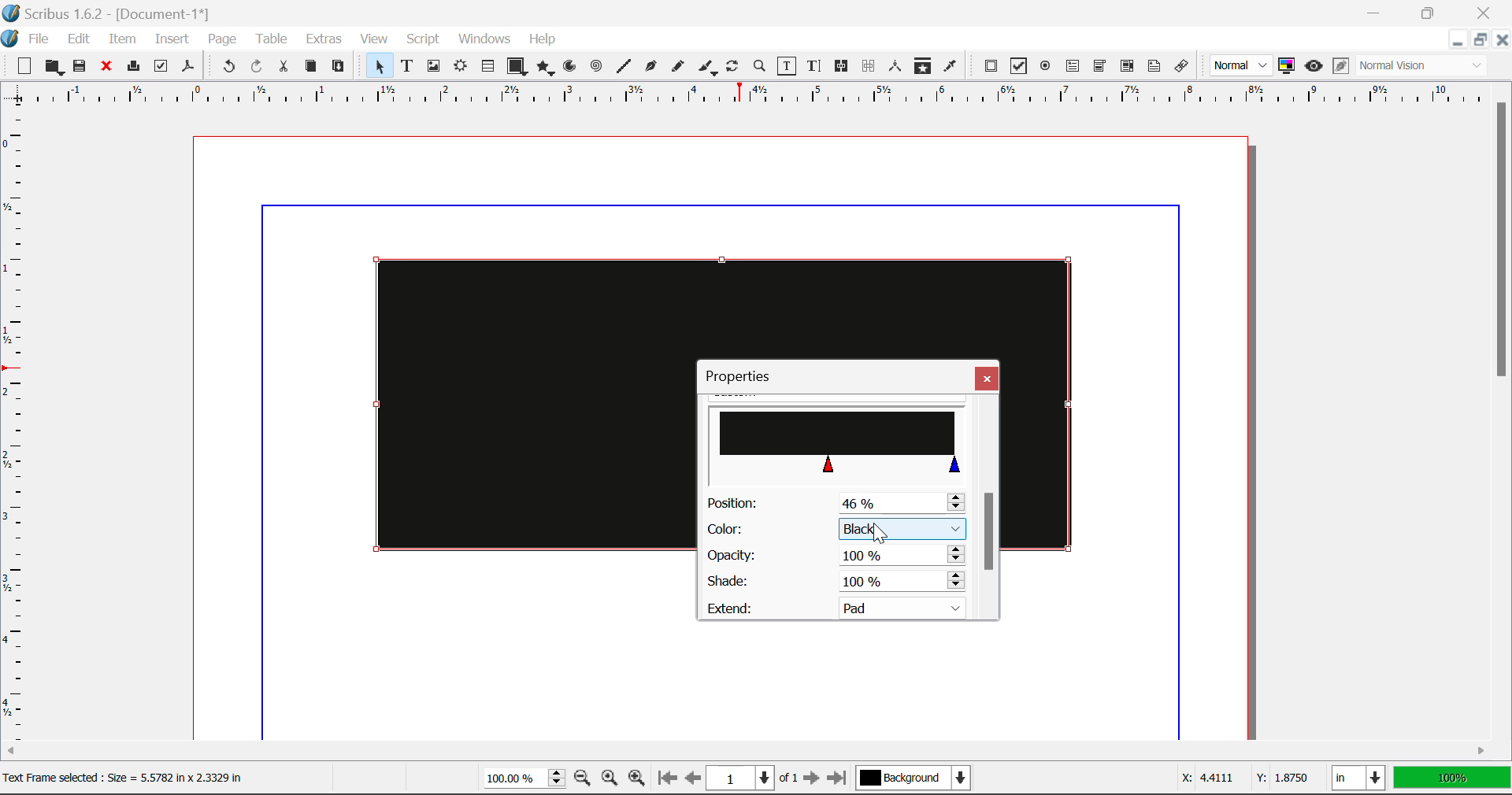 The width and height of the screenshot is (1512, 795). Describe the element at coordinates (139, 778) in the screenshot. I see `Text frame selected : Size = 5.5782 in x 2.3329 in` at that location.